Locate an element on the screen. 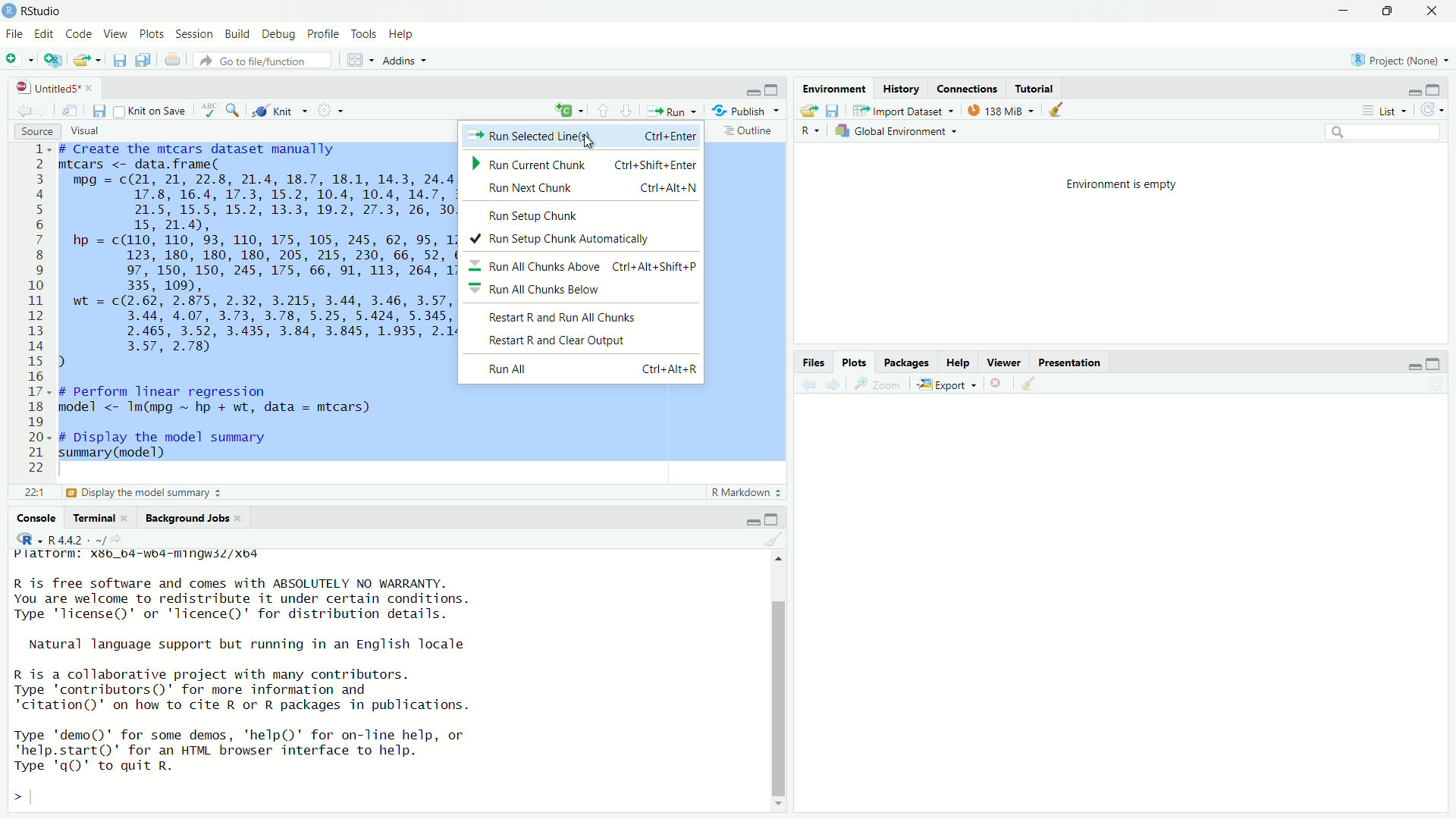  R Markdown is located at coordinates (744, 493).